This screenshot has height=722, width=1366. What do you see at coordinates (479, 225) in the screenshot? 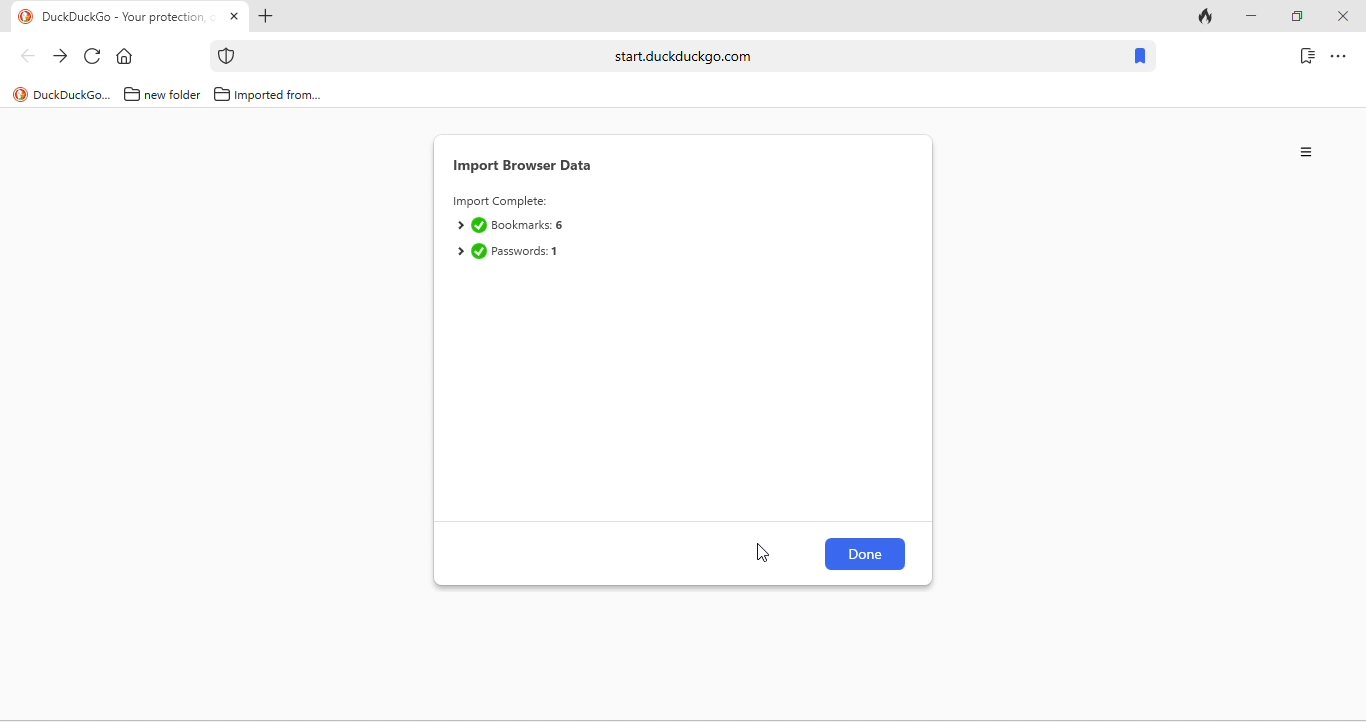
I see `done` at bounding box center [479, 225].